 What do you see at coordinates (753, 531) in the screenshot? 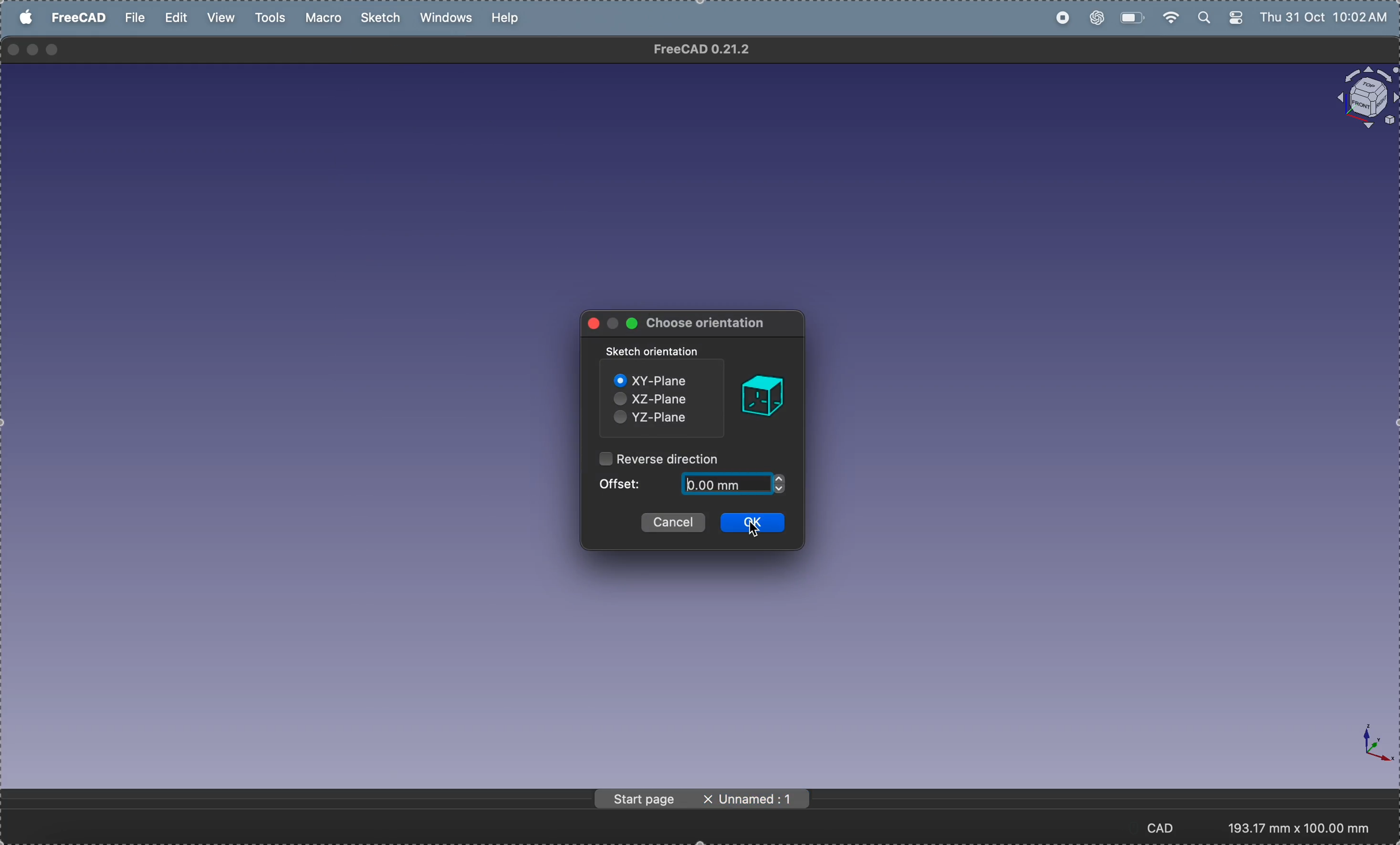
I see `Cursor` at bounding box center [753, 531].